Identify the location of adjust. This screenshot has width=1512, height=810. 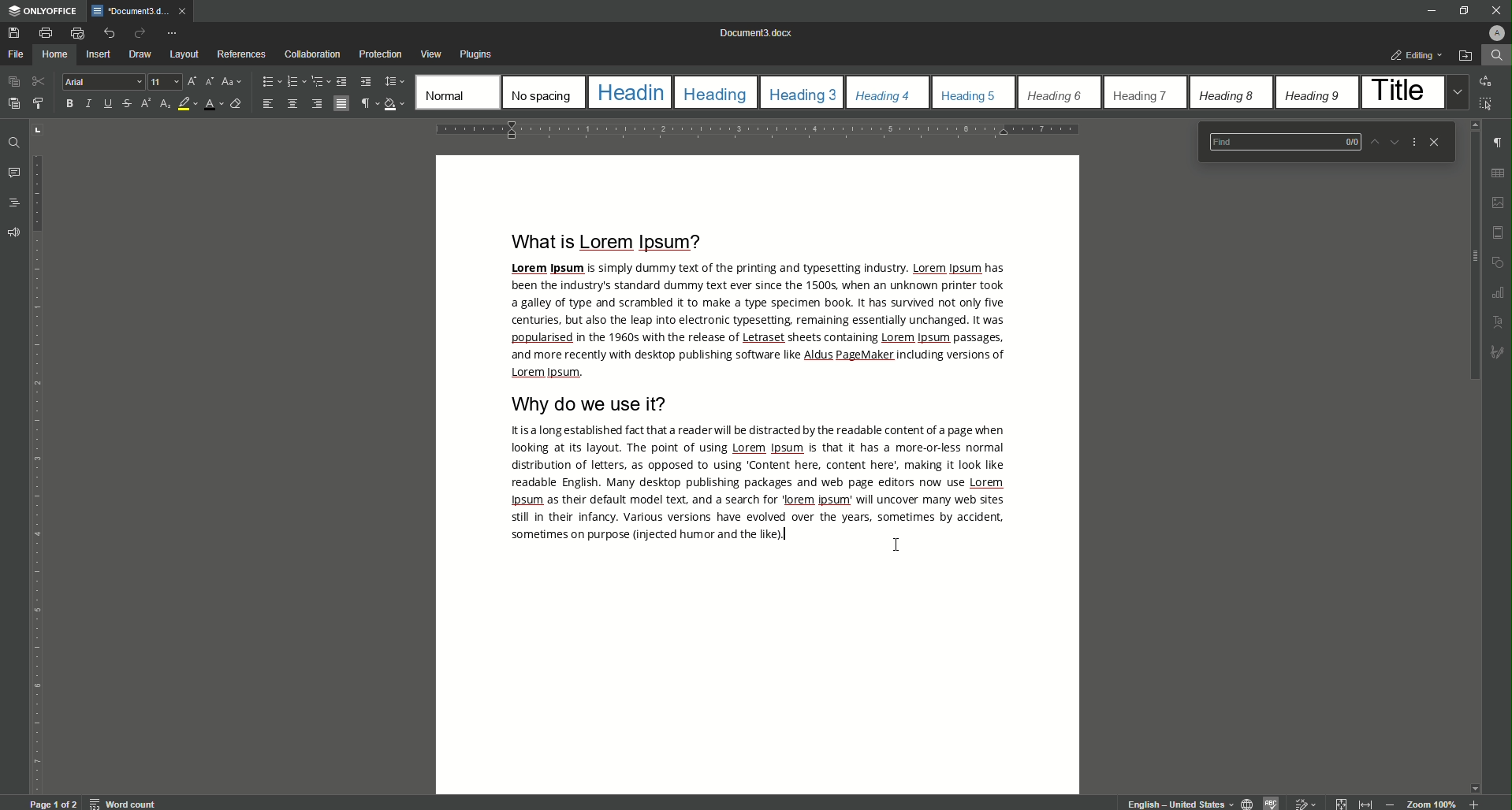
(43, 128).